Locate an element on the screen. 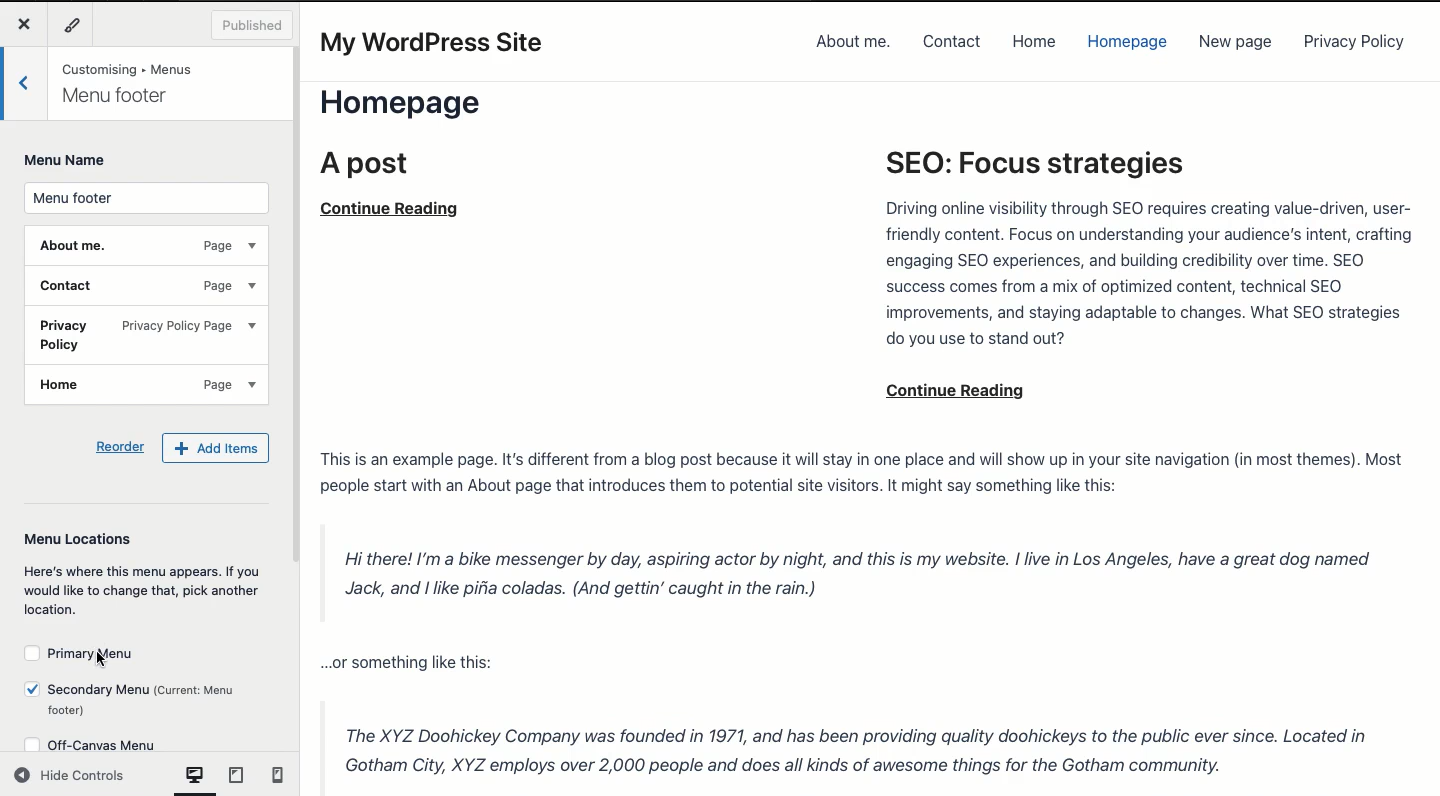 The height and width of the screenshot is (796, 1440). continue is located at coordinates (961, 390).